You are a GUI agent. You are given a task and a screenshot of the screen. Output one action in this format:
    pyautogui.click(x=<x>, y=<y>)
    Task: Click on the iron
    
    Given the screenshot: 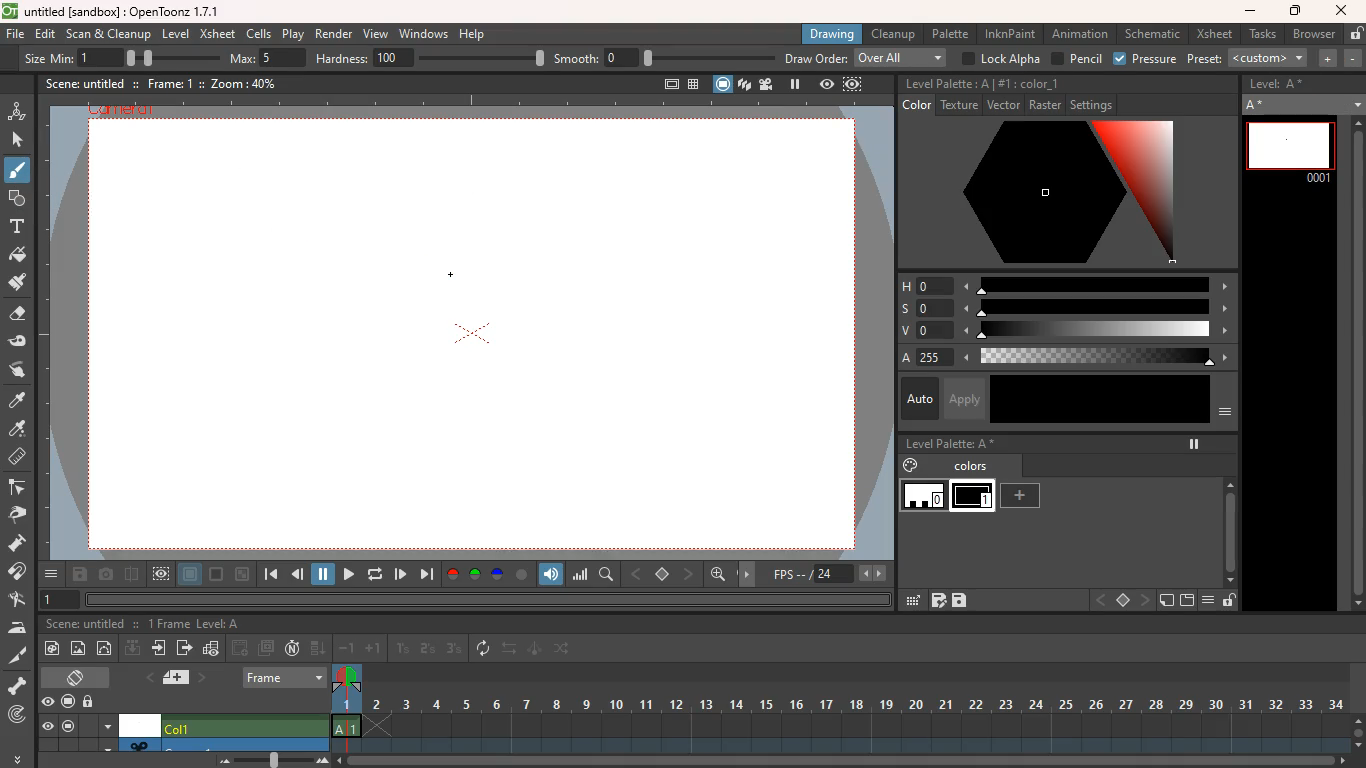 What is the action you would take?
    pyautogui.click(x=21, y=628)
    